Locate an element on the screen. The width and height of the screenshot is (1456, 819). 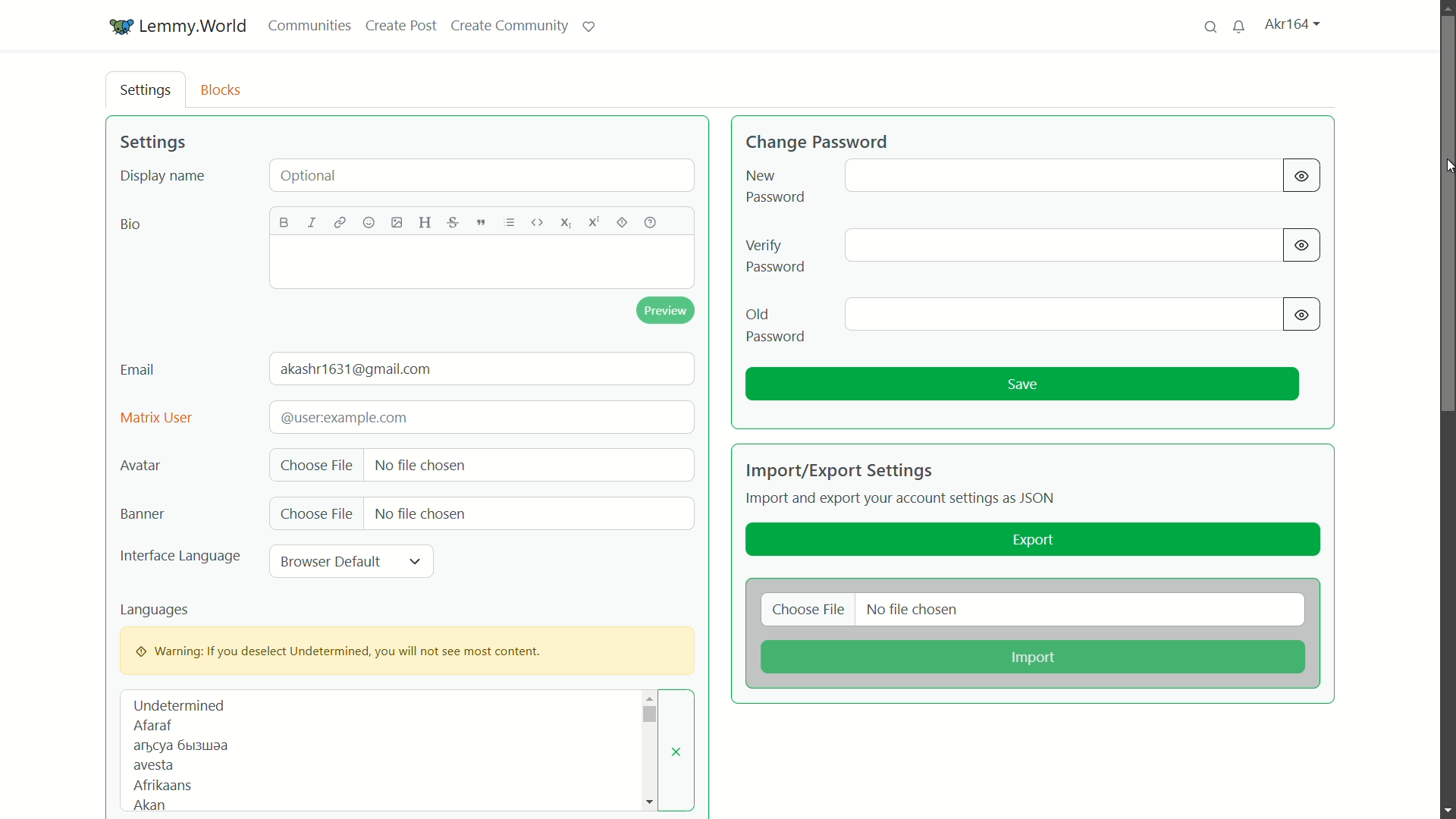
avesta is located at coordinates (154, 766).